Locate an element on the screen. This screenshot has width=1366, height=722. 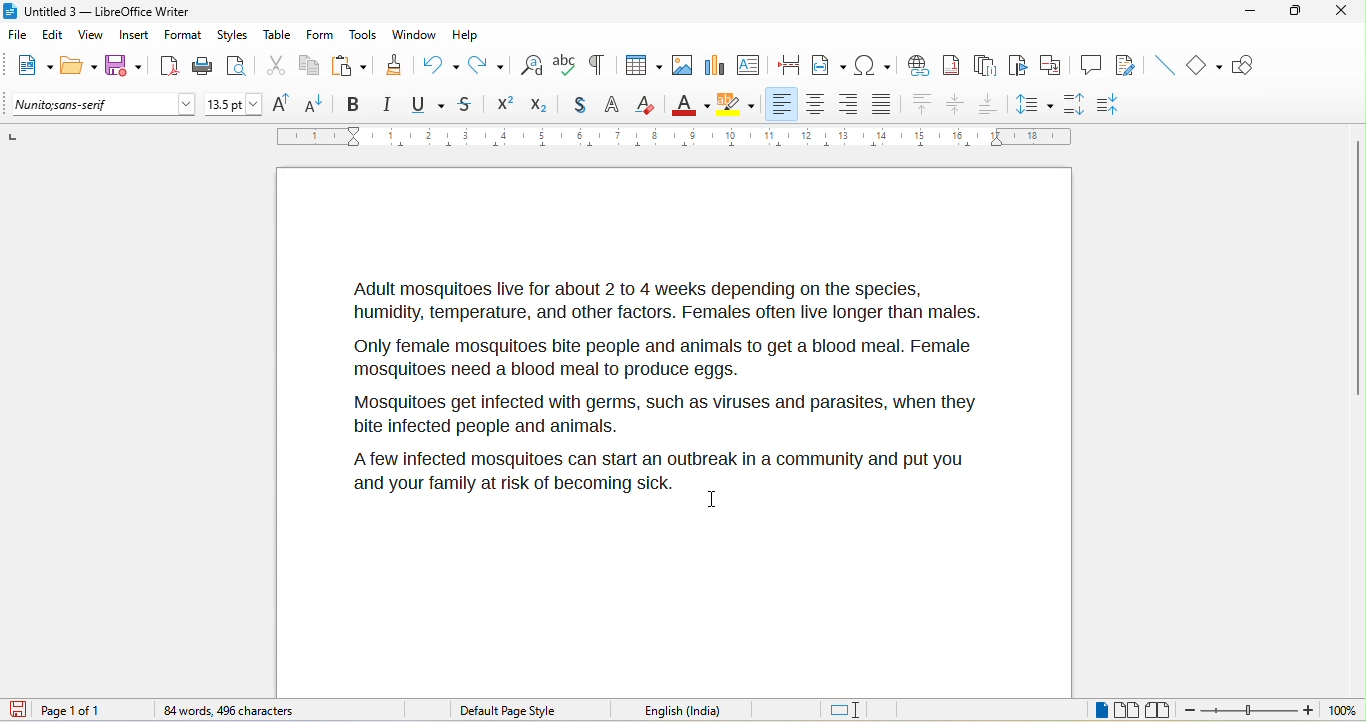
center is located at coordinates (957, 105).